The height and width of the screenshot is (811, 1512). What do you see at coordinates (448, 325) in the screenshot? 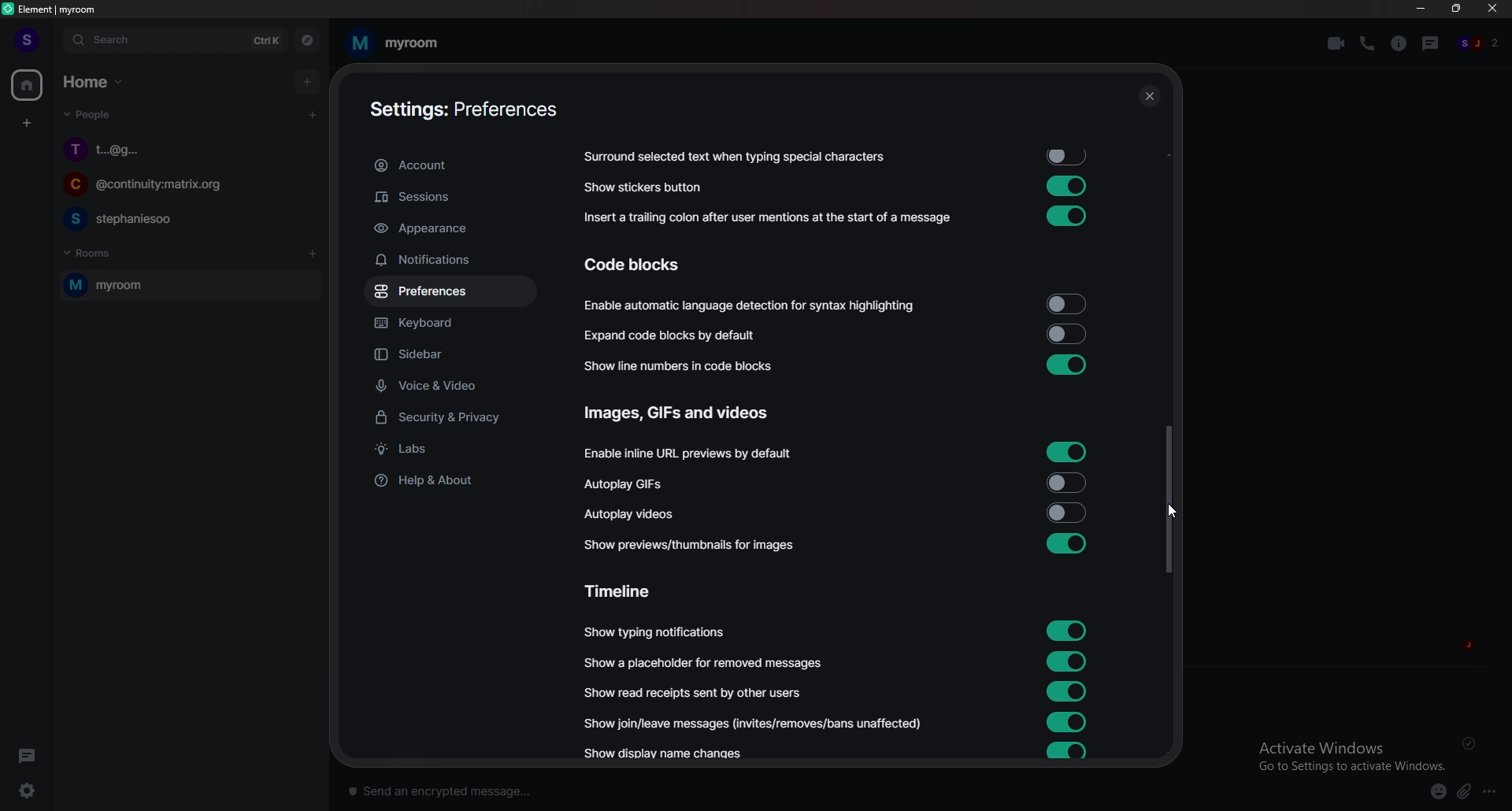
I see `keyboard` at bounding box center [448, 325].